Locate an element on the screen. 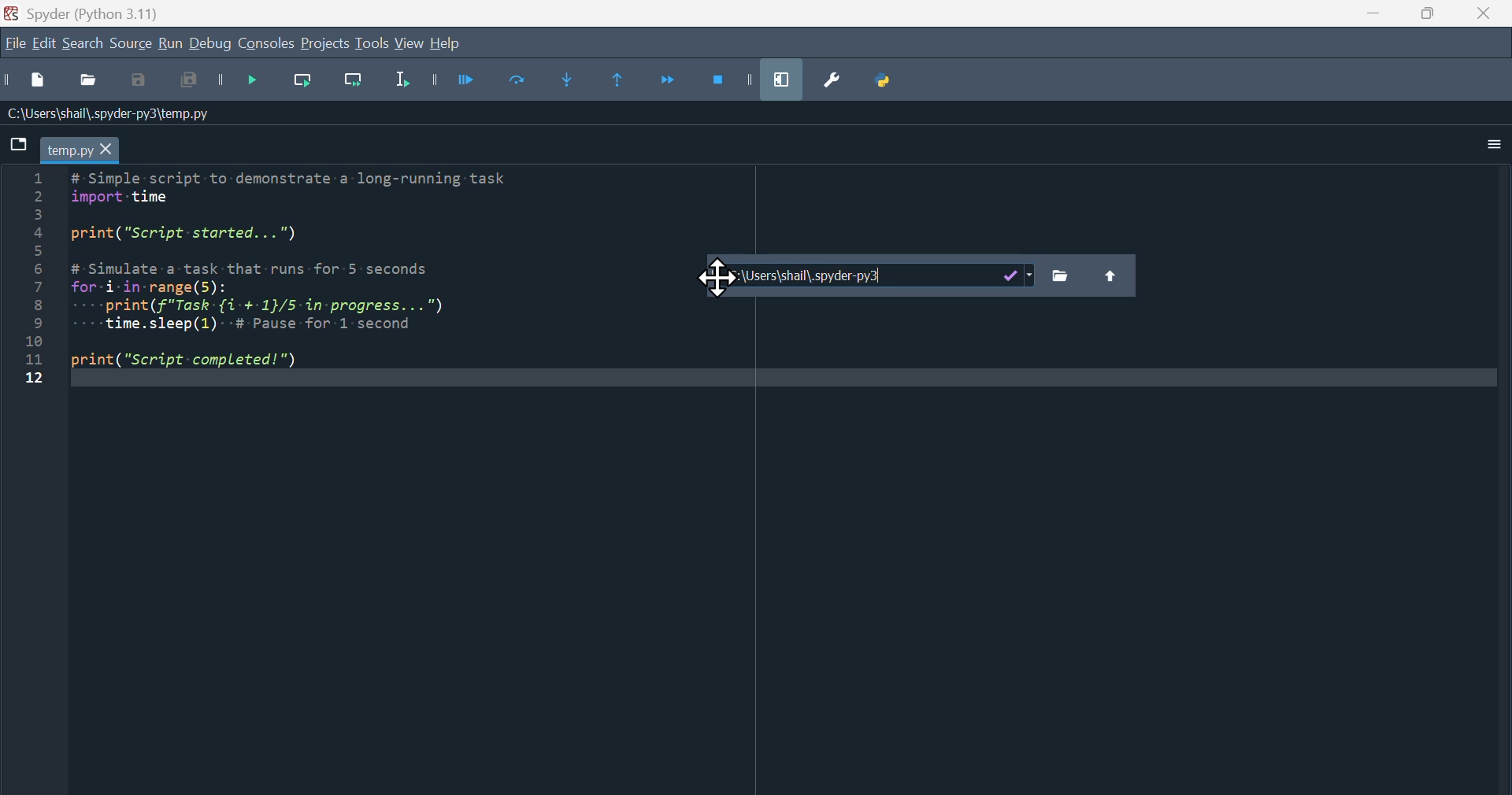 The width and height of the screenshot is (1512, 795). Save as is located at coordinates (143, 83).